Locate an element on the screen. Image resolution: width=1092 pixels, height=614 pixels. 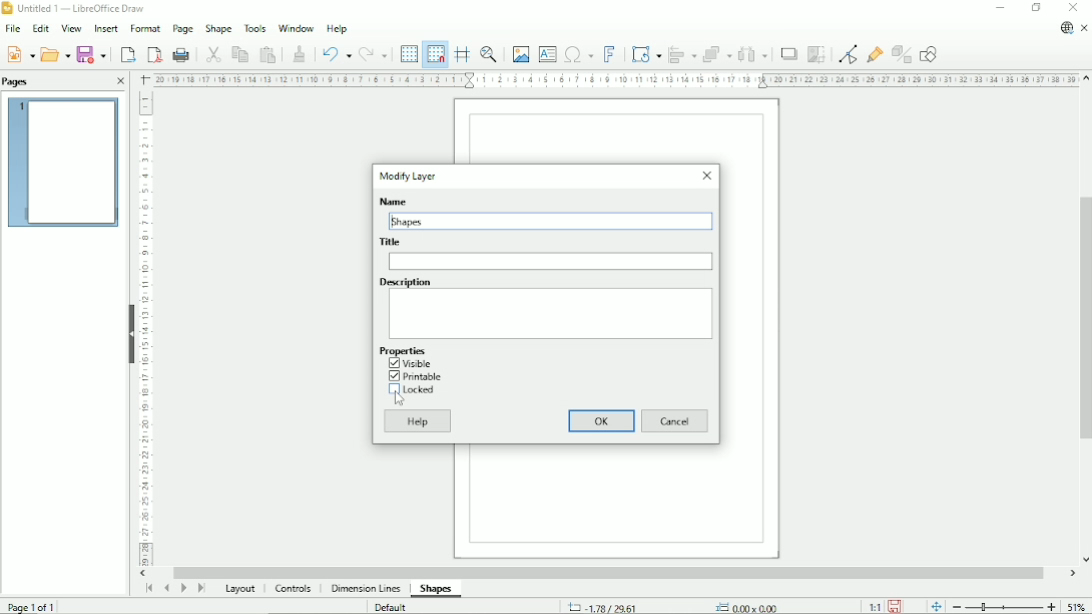
Horizontal scroll button is located at coordinates (1072, 573).